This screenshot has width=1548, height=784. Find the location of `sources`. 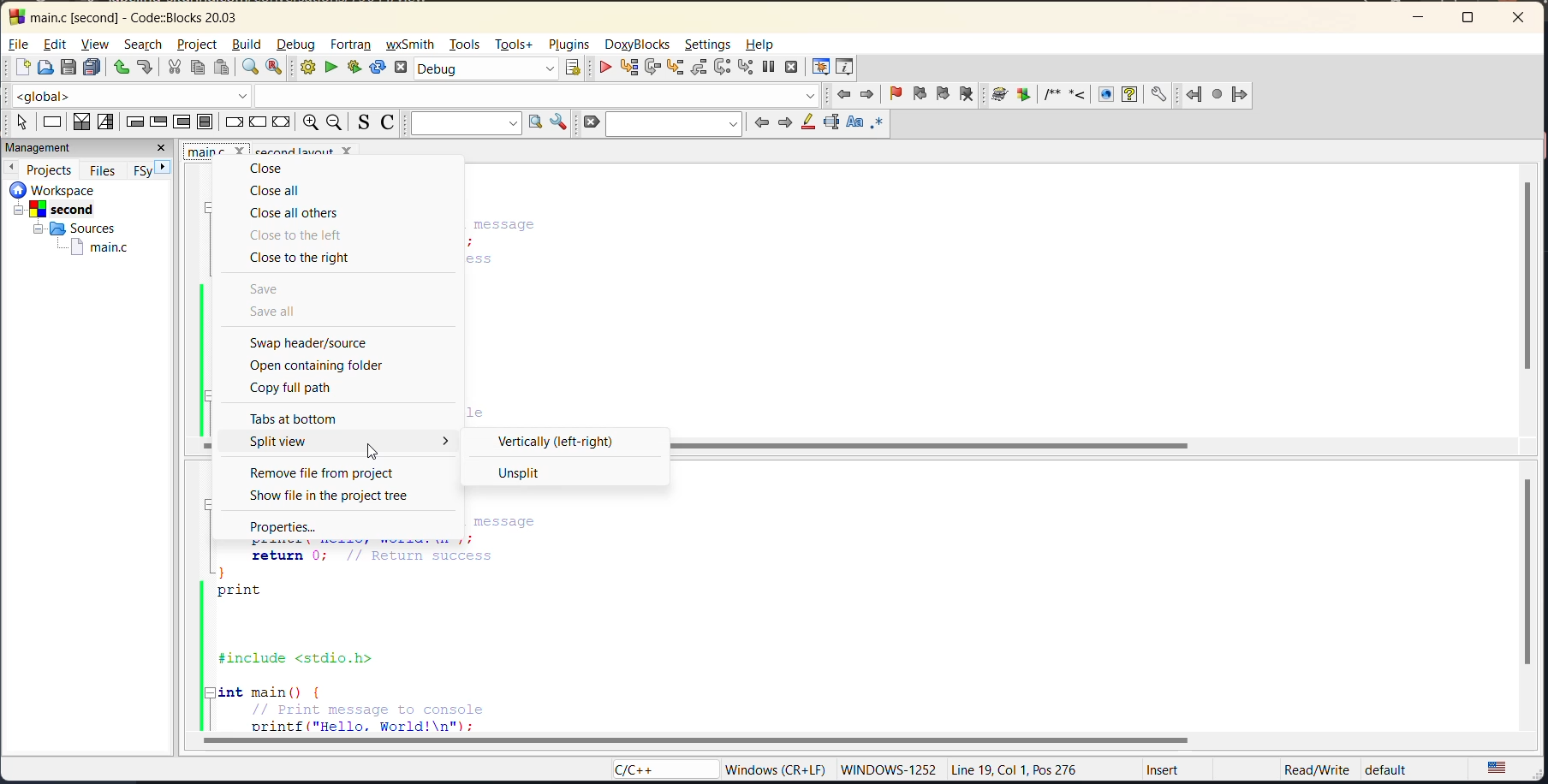

sources is located at coordinates (74, 229).